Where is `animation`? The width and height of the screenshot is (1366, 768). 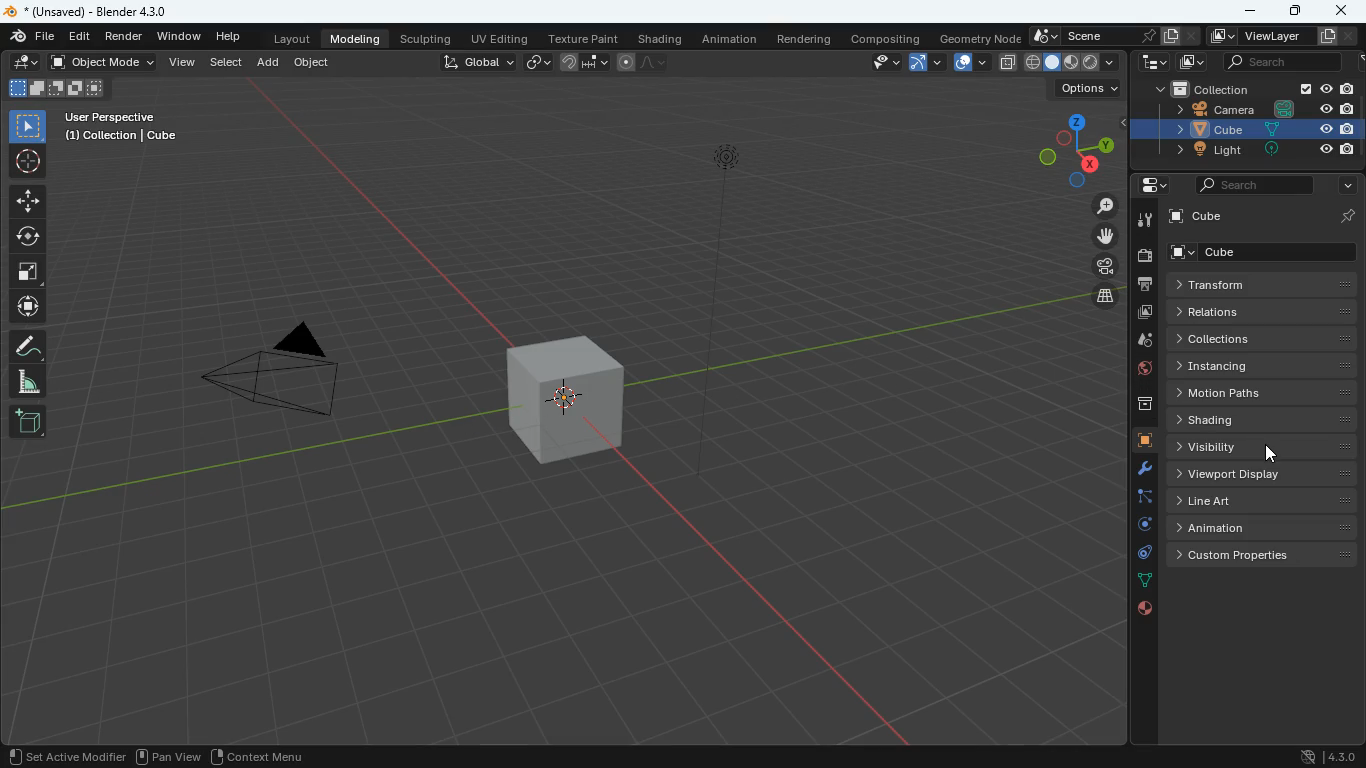 animation is located at coordinates (1262, 526).